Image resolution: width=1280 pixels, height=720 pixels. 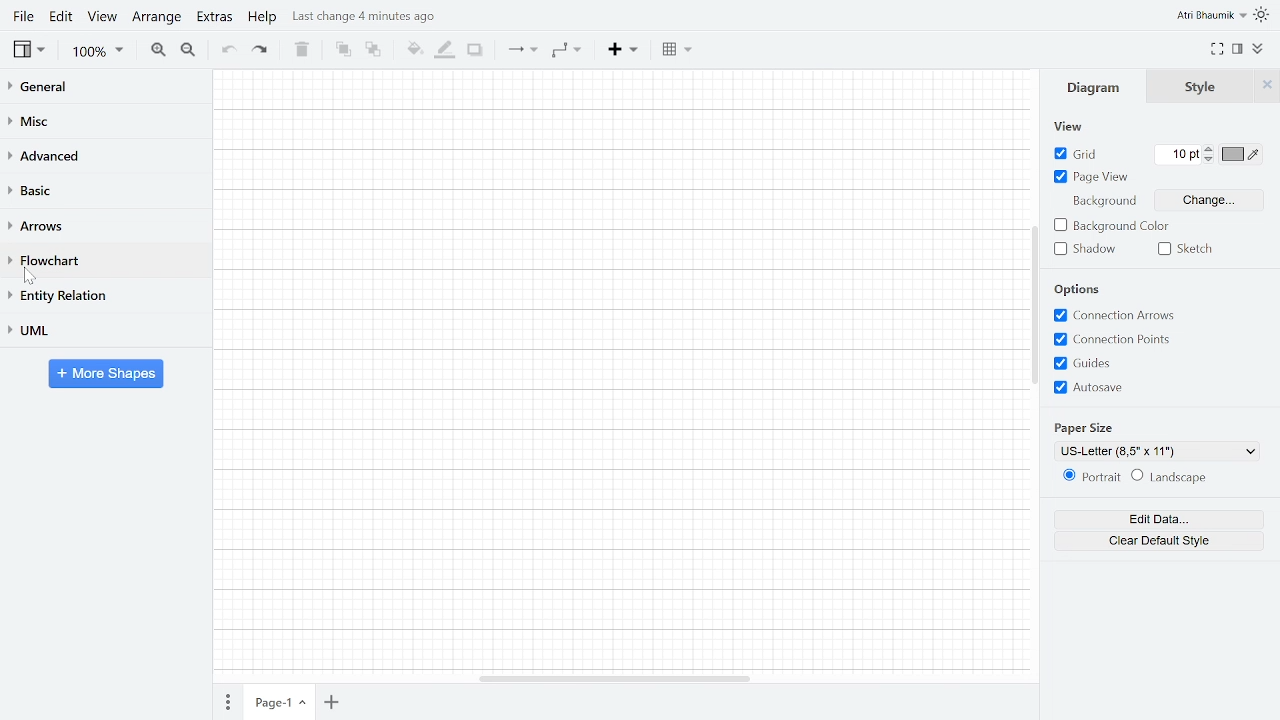 I want to click on UML, so click(x=102, y=330).